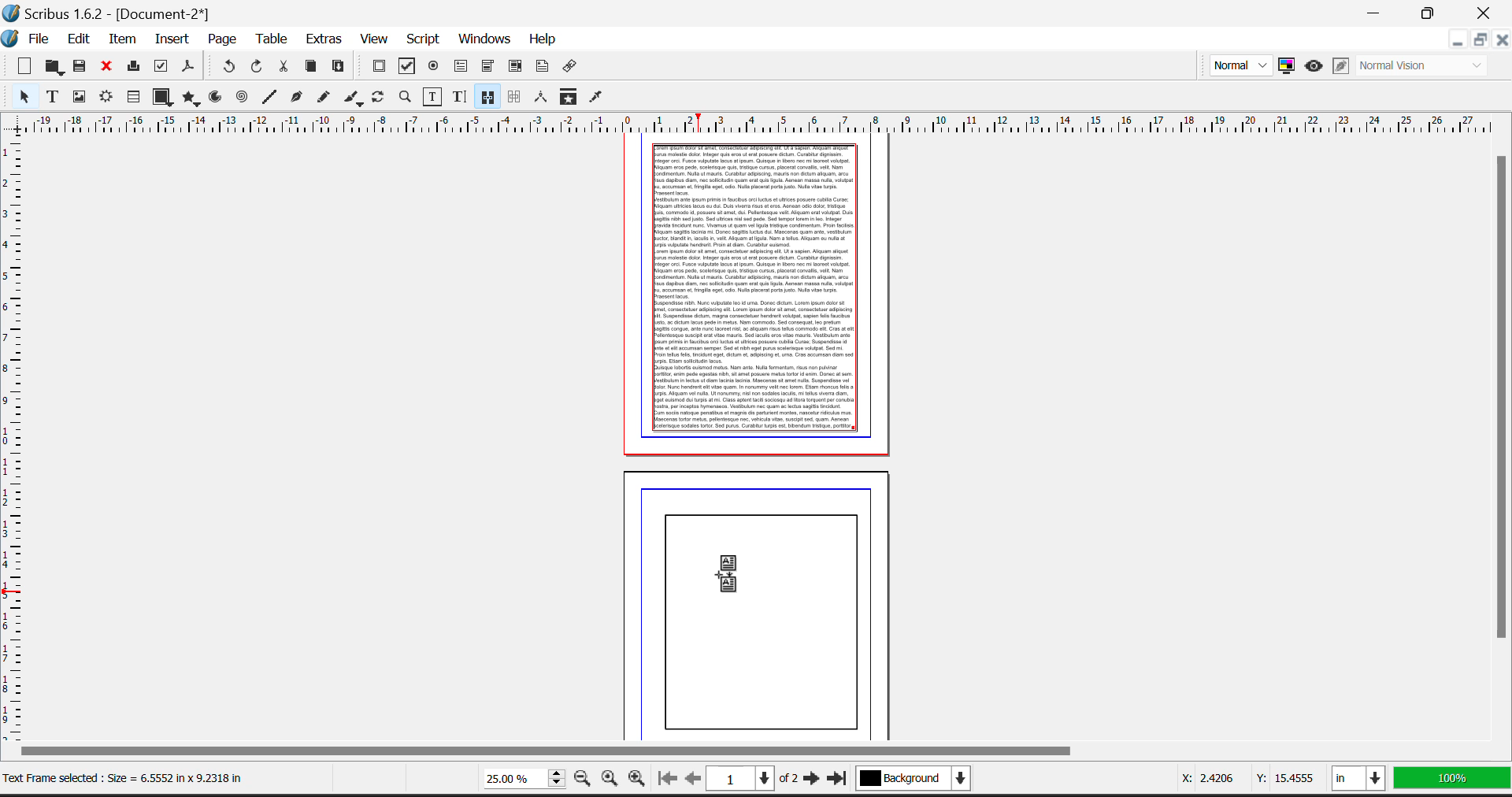 This screenshot has width=1512, height=797. I want to click on Discard, so click(108, 67).